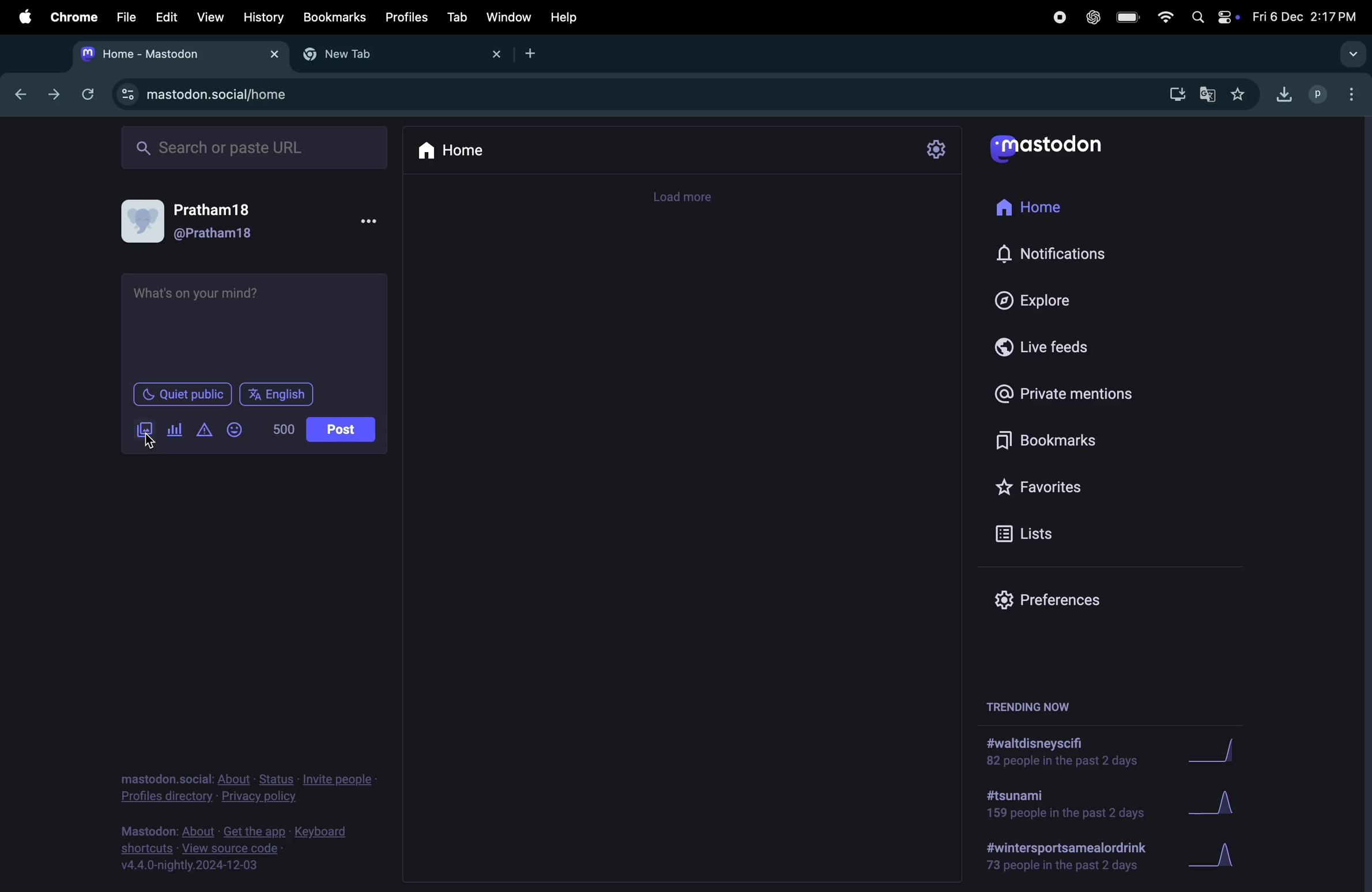 The width and height of the screenshot is (1372, 892). Describe the element at coordinates (334, 16) in the screenshot. I see `Bookmarks` at that location.